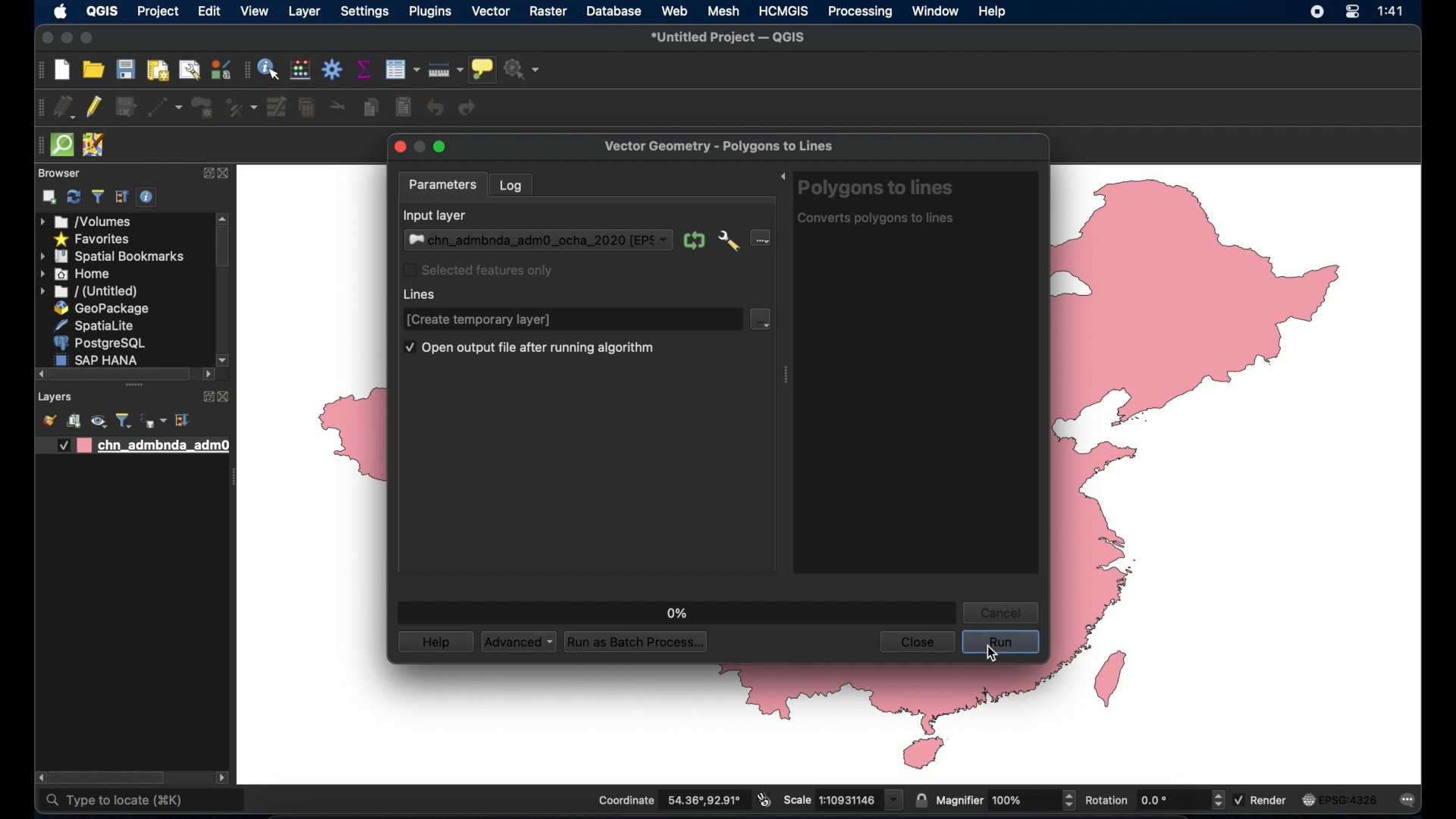 The height and width of the screenshot is (819, 1456). Describe the element at coordinates (433, 641) in the screenshot. I see `help` at that location.